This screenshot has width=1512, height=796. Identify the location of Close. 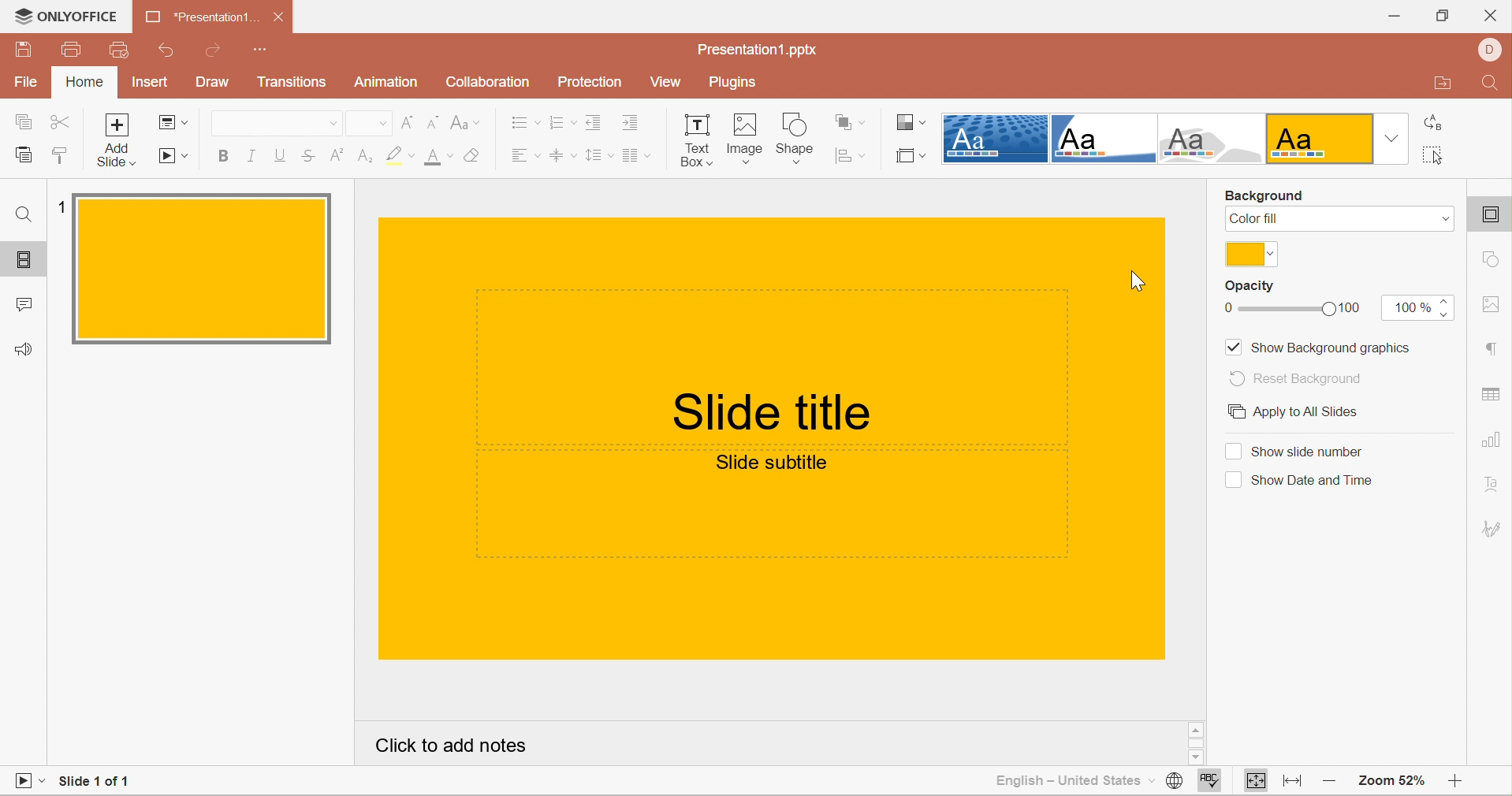
(1491, 16).